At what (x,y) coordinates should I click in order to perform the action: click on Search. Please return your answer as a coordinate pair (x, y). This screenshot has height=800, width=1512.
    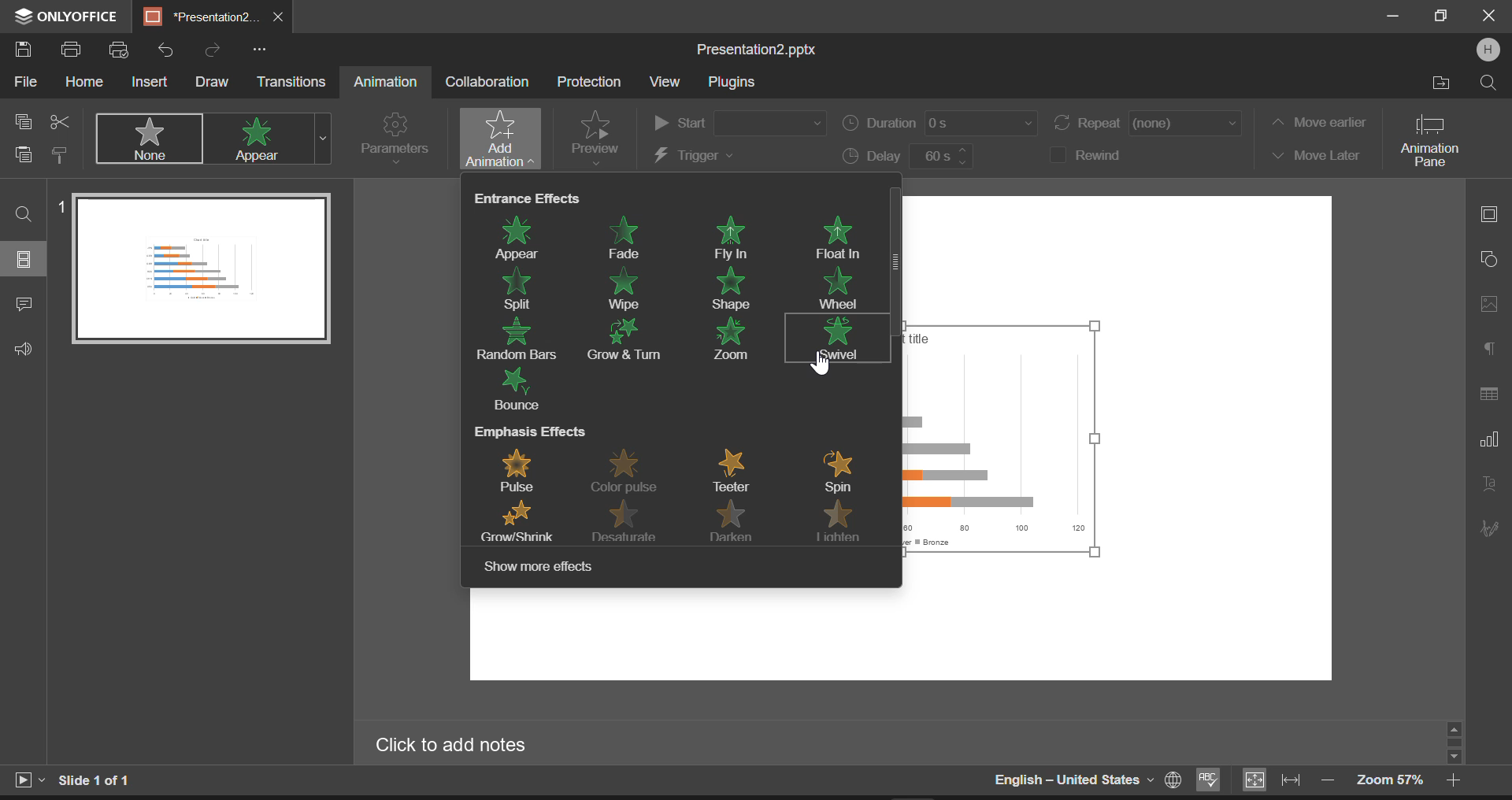
    Looking at the image, I should click on (1487, 82).